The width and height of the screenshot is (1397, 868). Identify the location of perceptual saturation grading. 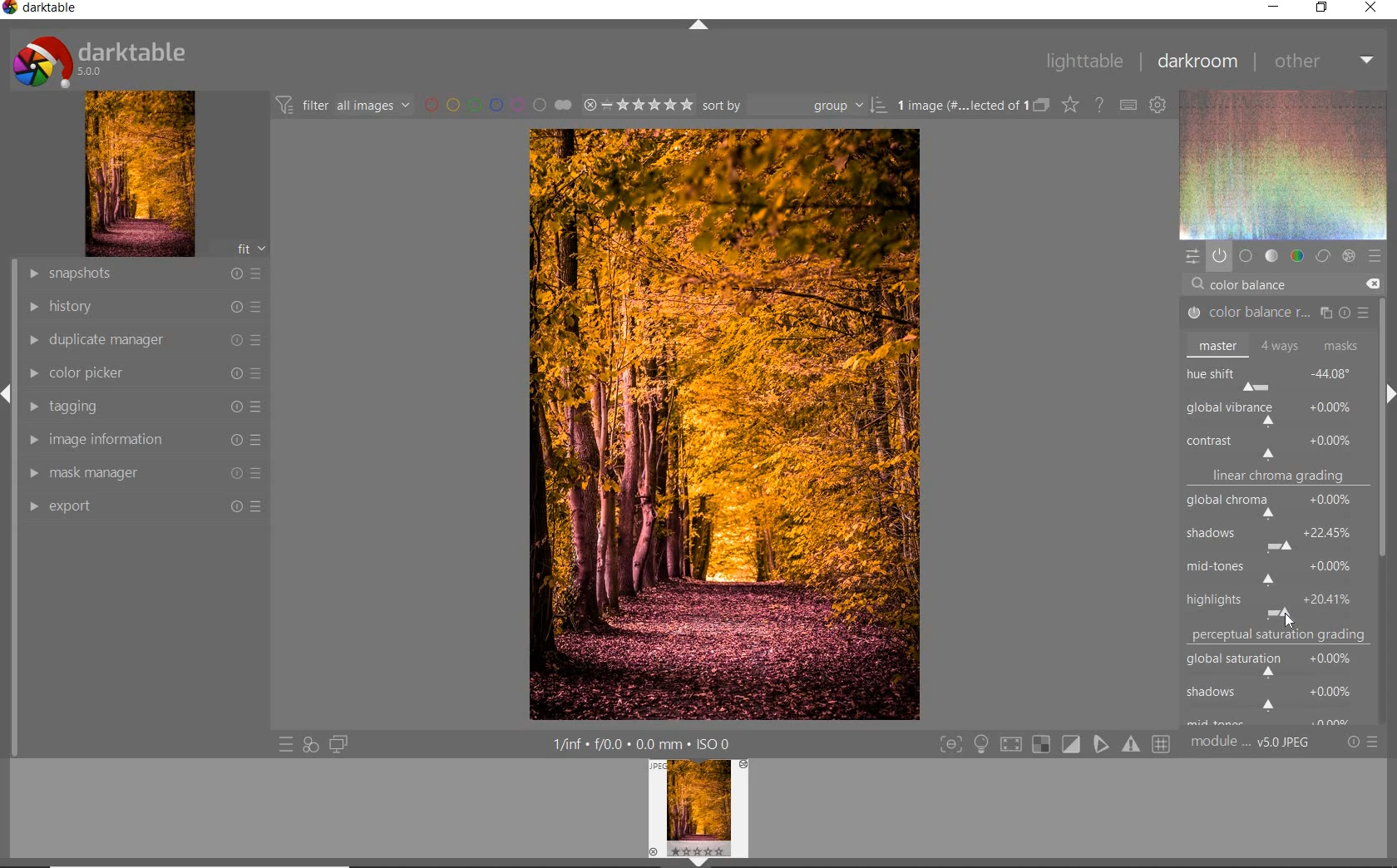
(1281, 635).